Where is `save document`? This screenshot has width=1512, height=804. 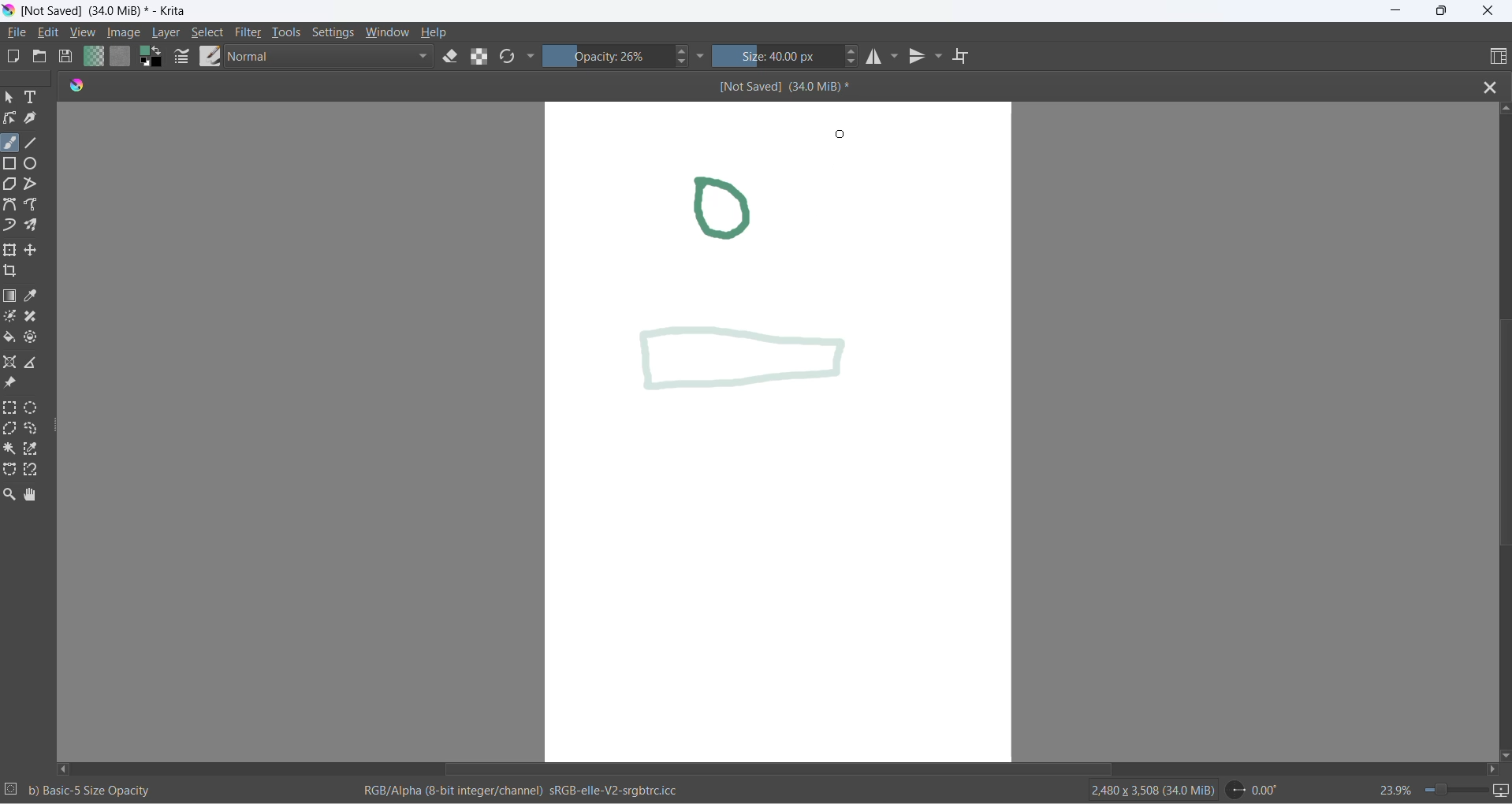 save document is located at coordinates (68, 56).